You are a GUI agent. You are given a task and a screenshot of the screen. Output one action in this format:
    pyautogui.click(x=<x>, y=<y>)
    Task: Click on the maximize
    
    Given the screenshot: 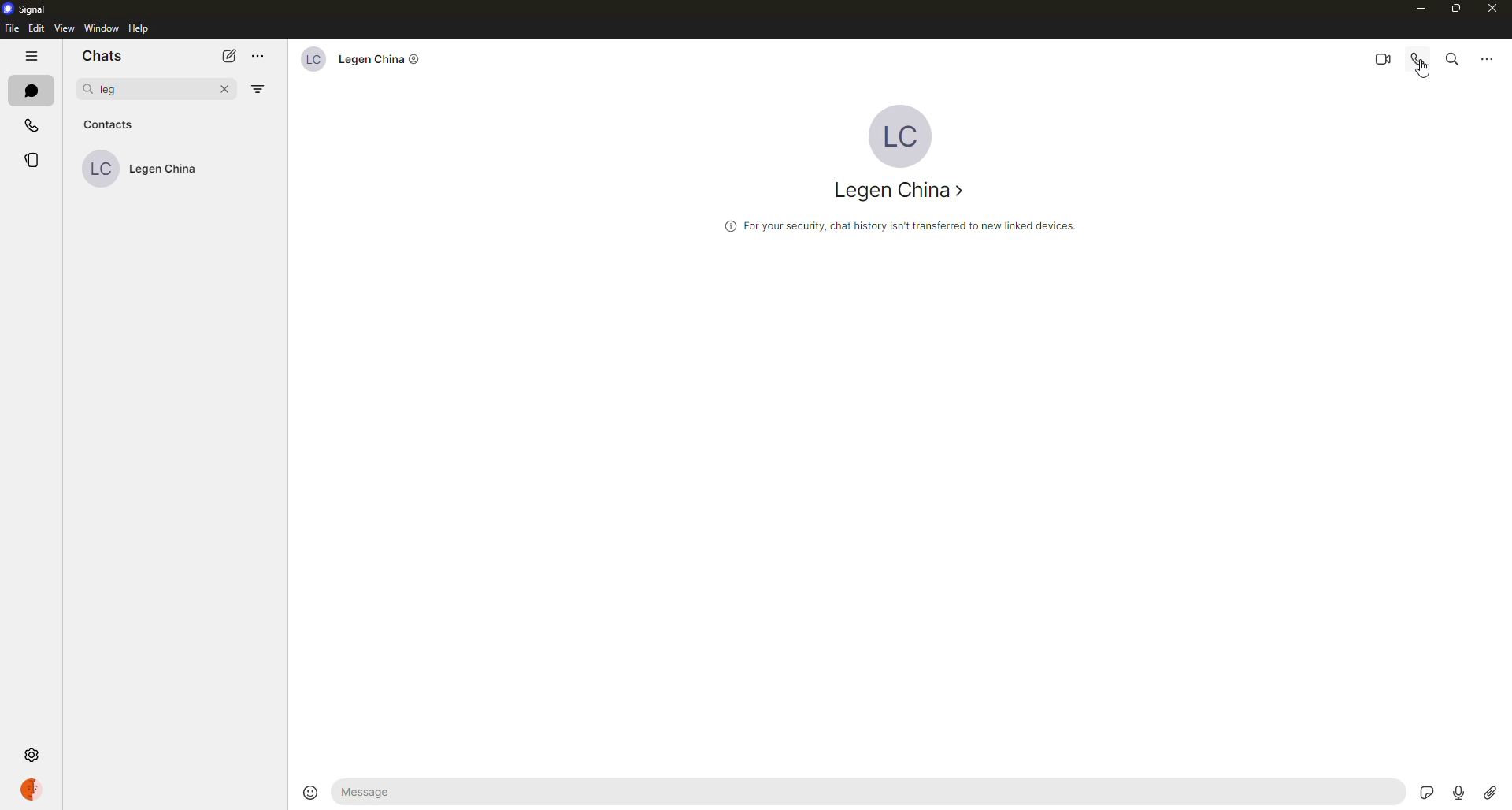 What is the action you would take?
    pyautogui.click(x=1457, y=11)
    